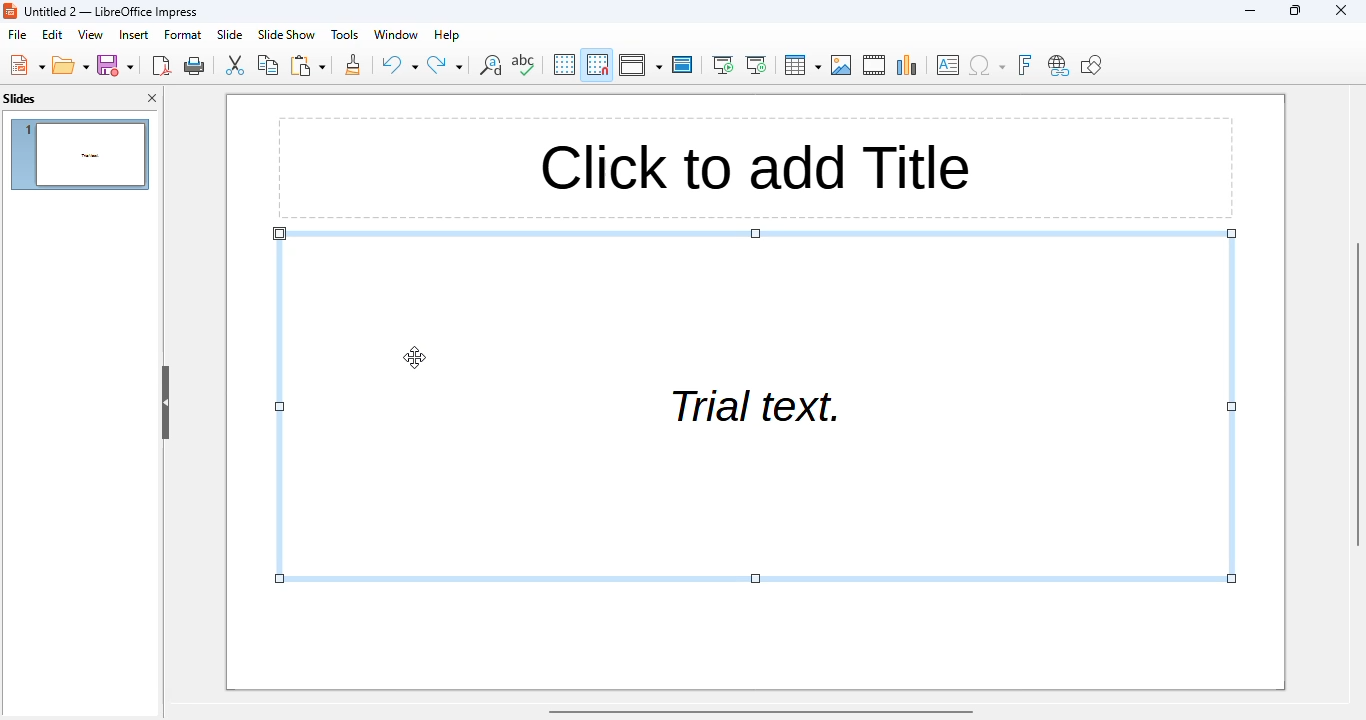 This screenshot has height=720, width=1366. Describe the element at coordinates (446, 65) in the screenshot. I see `redo` at that location.